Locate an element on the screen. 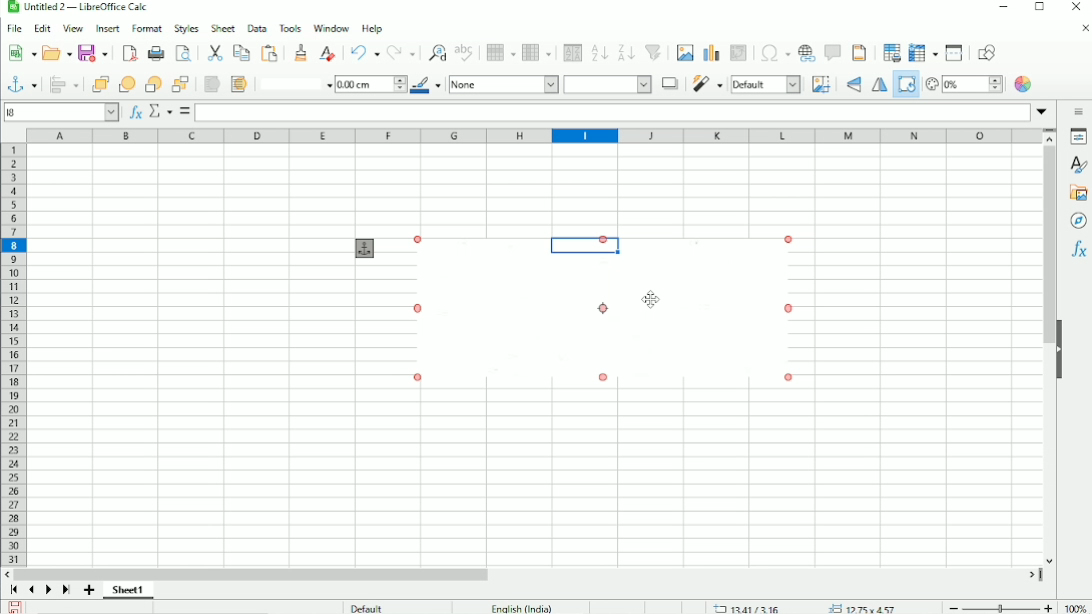  Flip vertically is located at coordinates (854, 85).